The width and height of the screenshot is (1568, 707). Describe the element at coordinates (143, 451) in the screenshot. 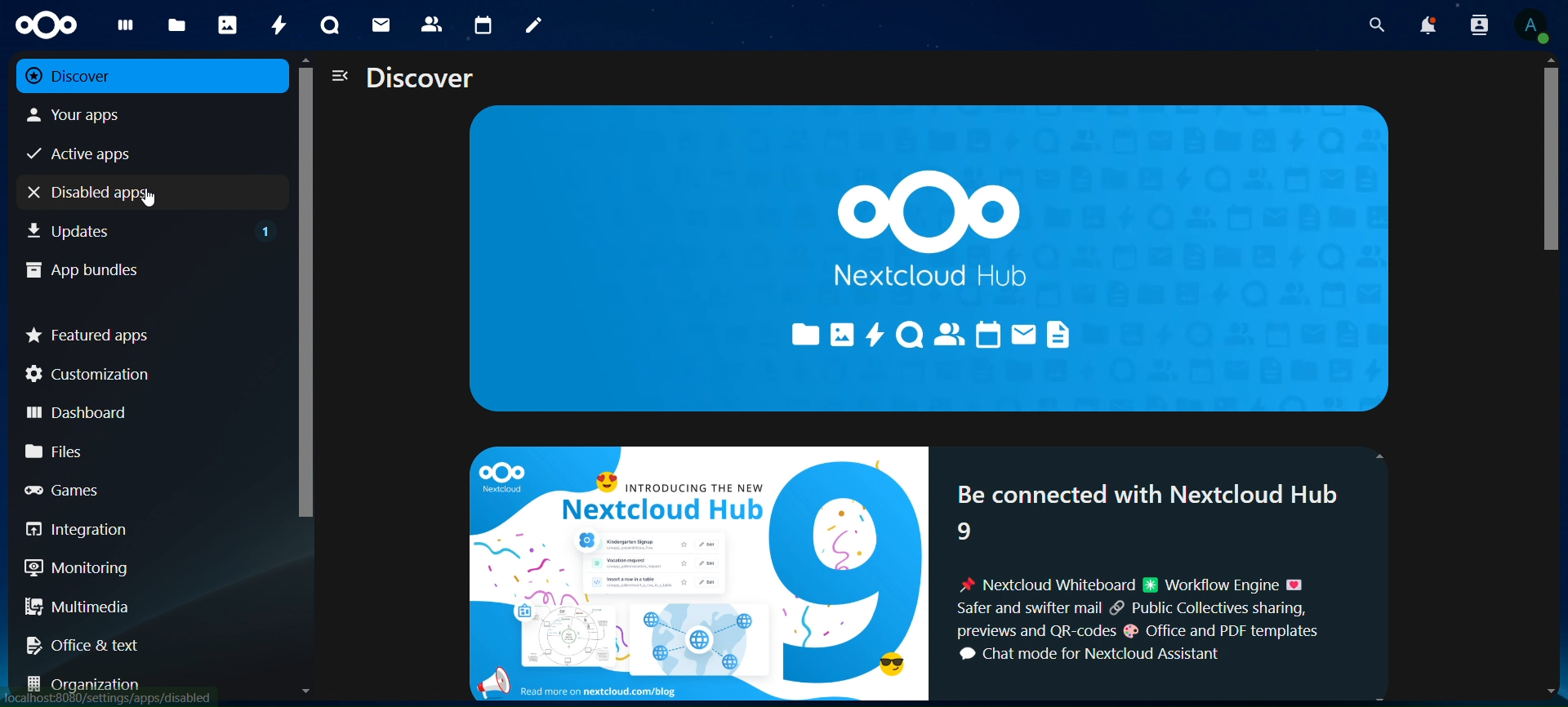

I see `files` at that location.